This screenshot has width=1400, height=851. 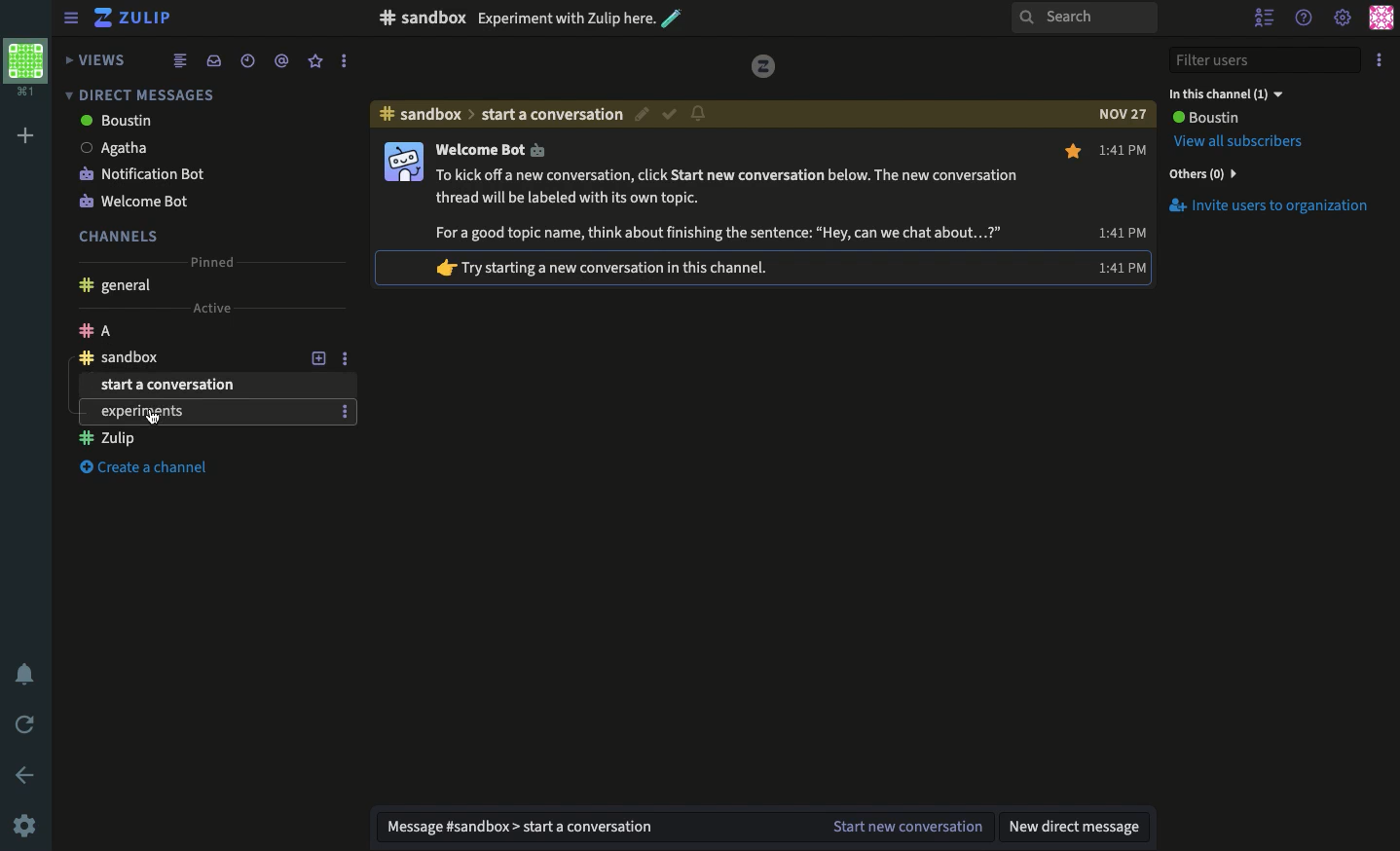 I want to click on Notification bot, so click(x=187, y=172).